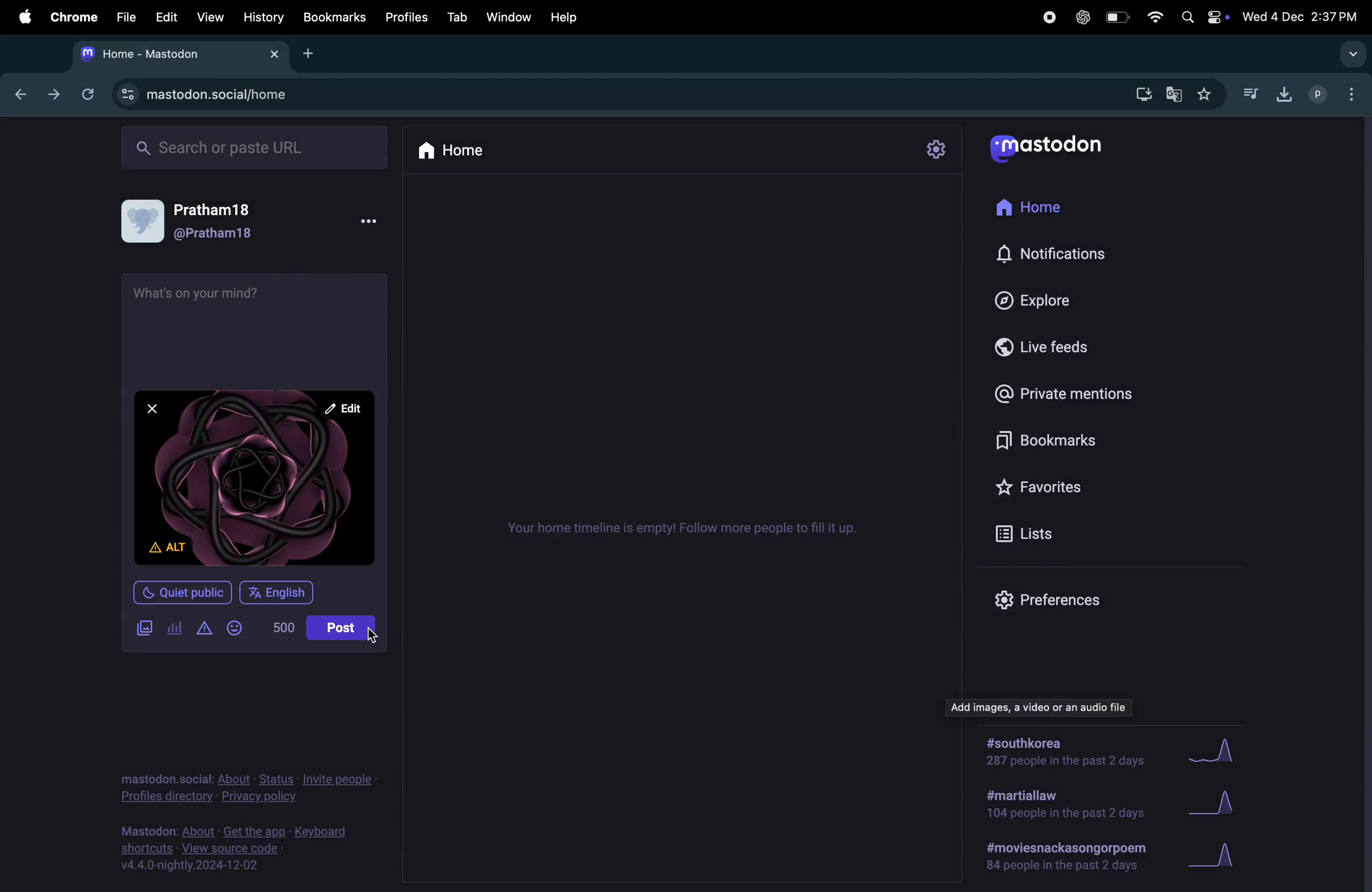 This screenshot has height=892, width=1372. Describe the element at coordinates (1046, 144) in the screenshot. I see `mastodon` at that location.